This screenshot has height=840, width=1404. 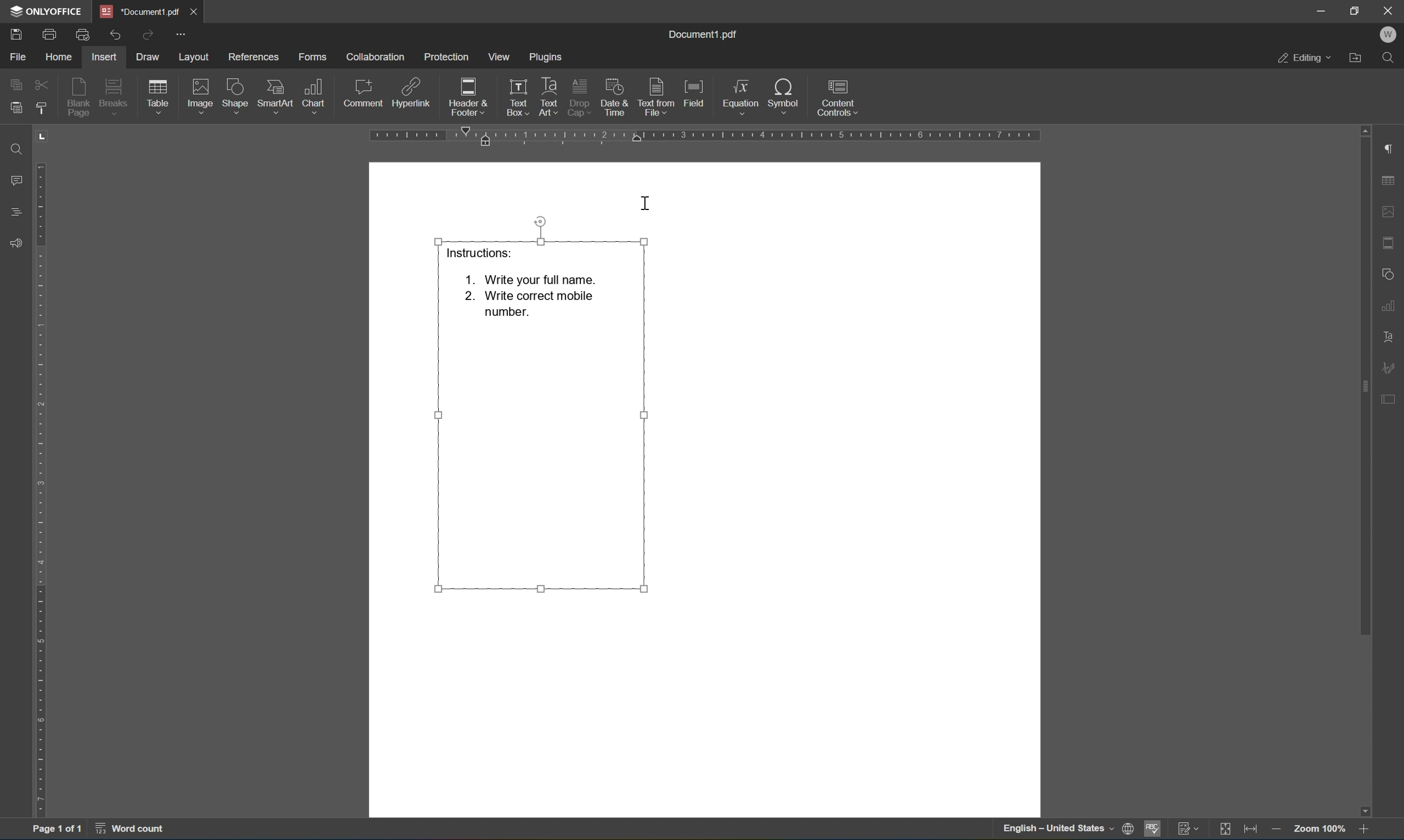 I want to click on text box, so click(x=515, y=97).